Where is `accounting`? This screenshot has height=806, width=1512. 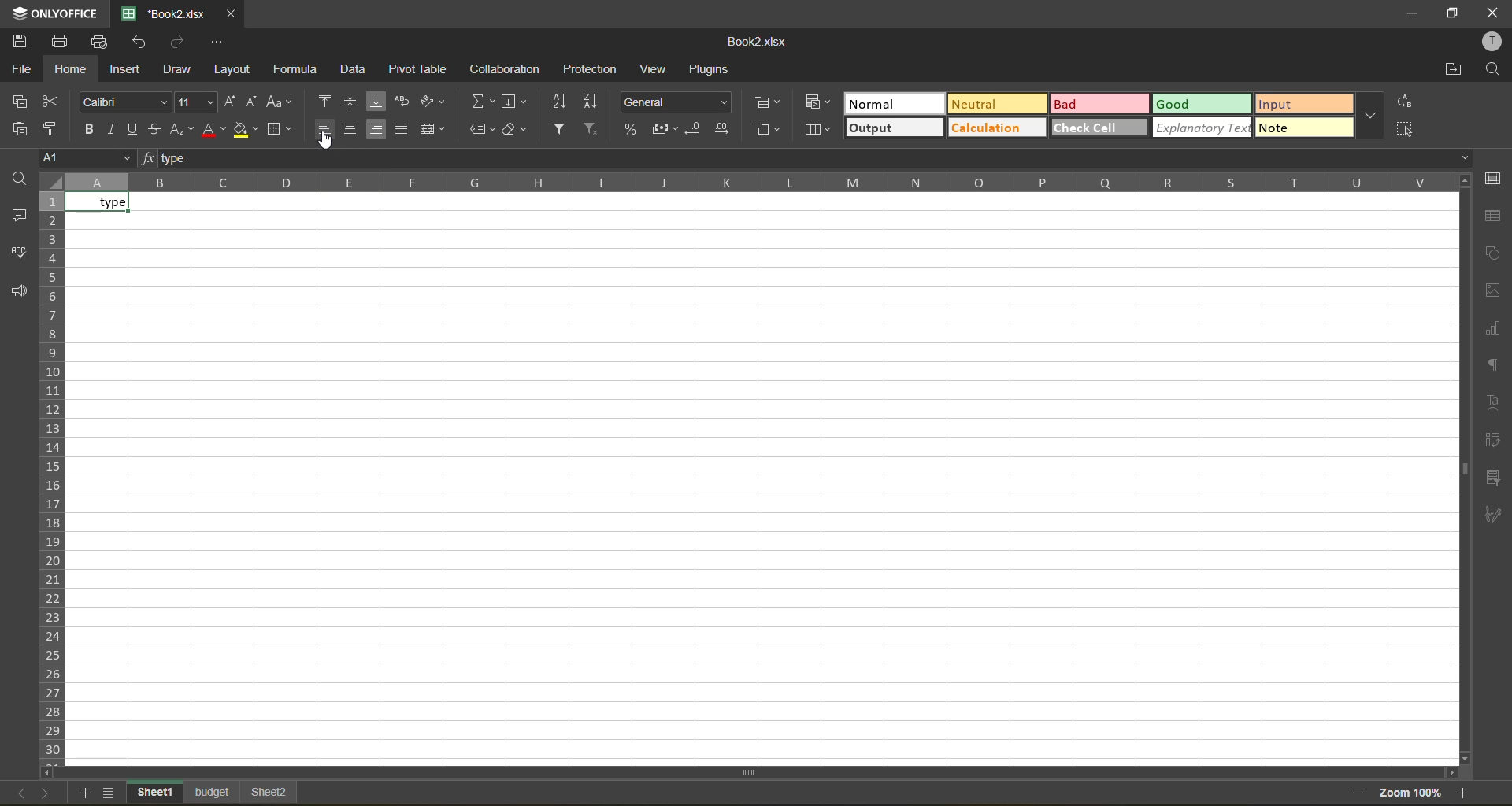
accounting is located at coordinates (661, 130).